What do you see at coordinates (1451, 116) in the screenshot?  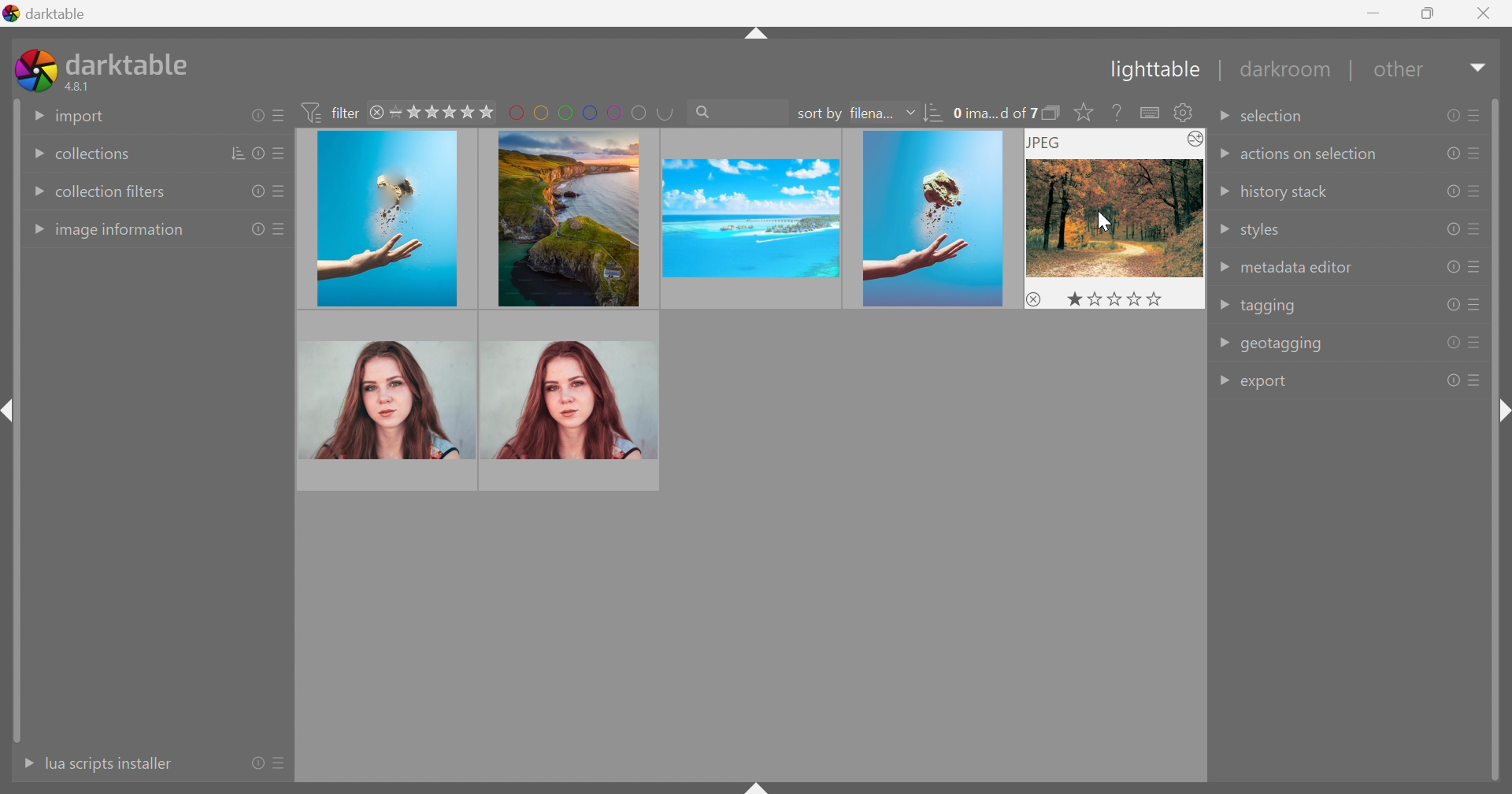 I see `reset` at bounding box center [1451, 116].